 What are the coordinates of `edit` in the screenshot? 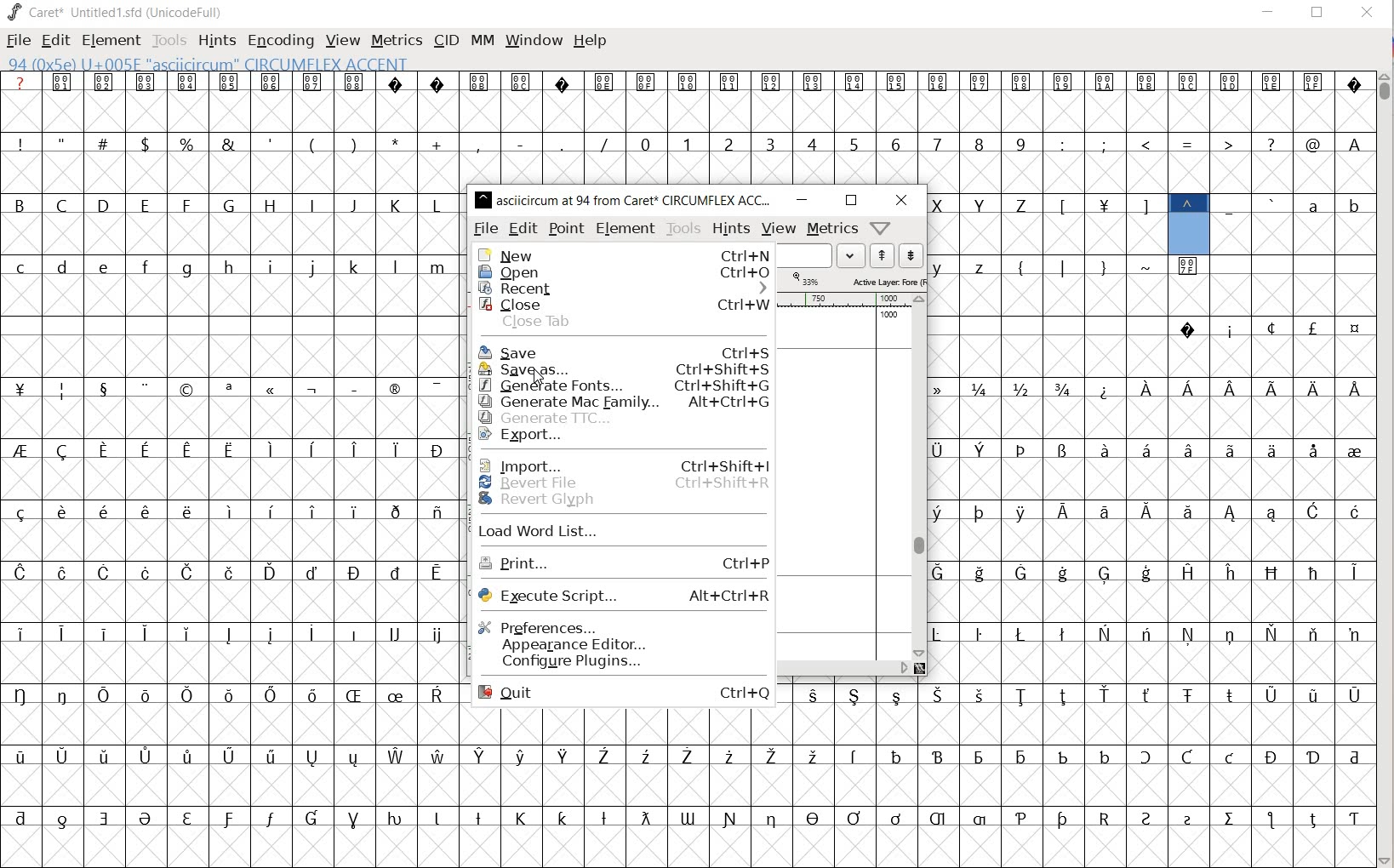 It's located at (523, 229).